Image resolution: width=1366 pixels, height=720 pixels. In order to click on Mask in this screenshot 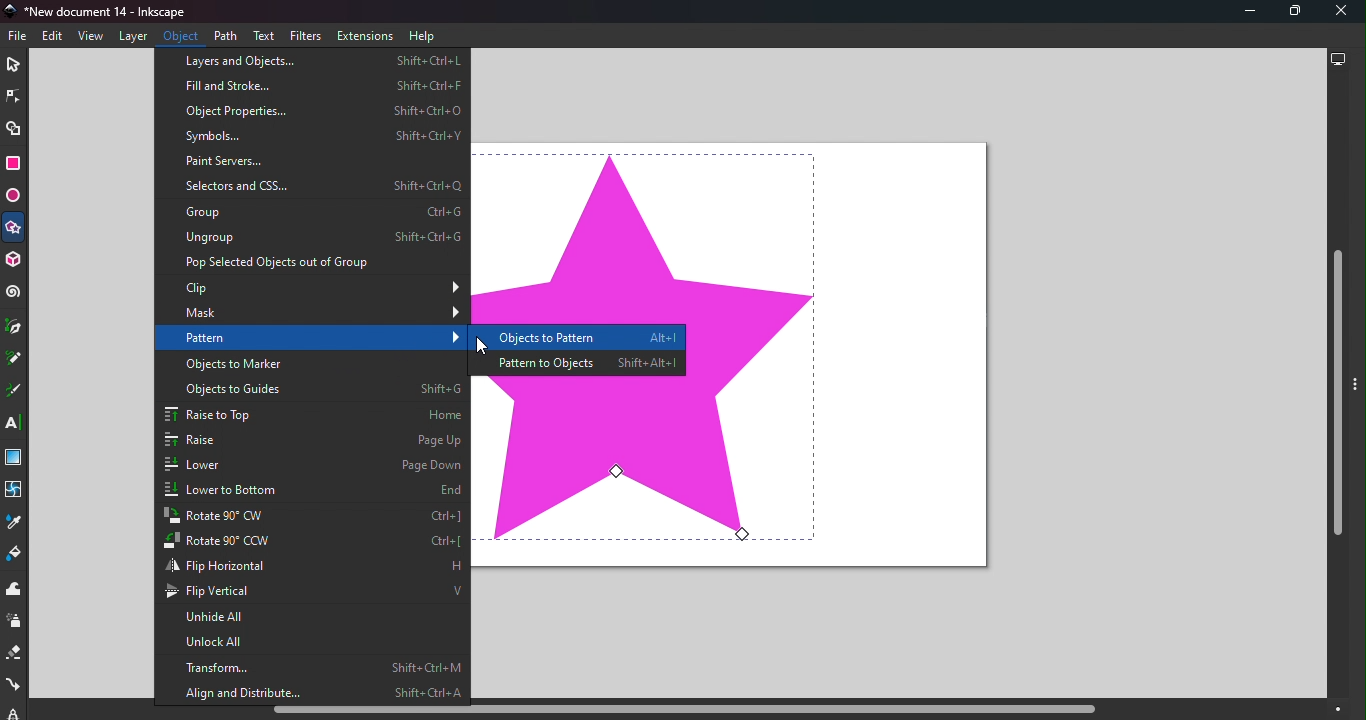, I will do `click(316, 312)`.